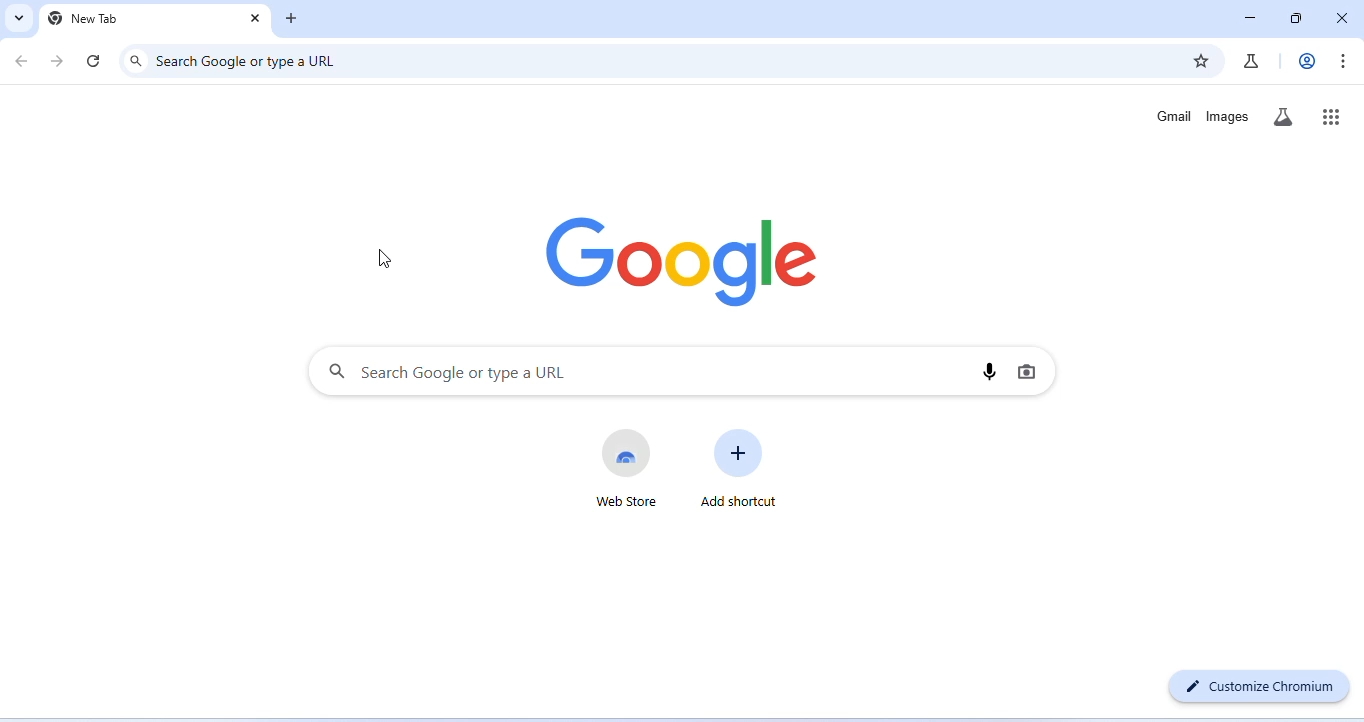  Describe the element at coordinates (1174, 115) in the screenshot. I see `gamil` at that location.